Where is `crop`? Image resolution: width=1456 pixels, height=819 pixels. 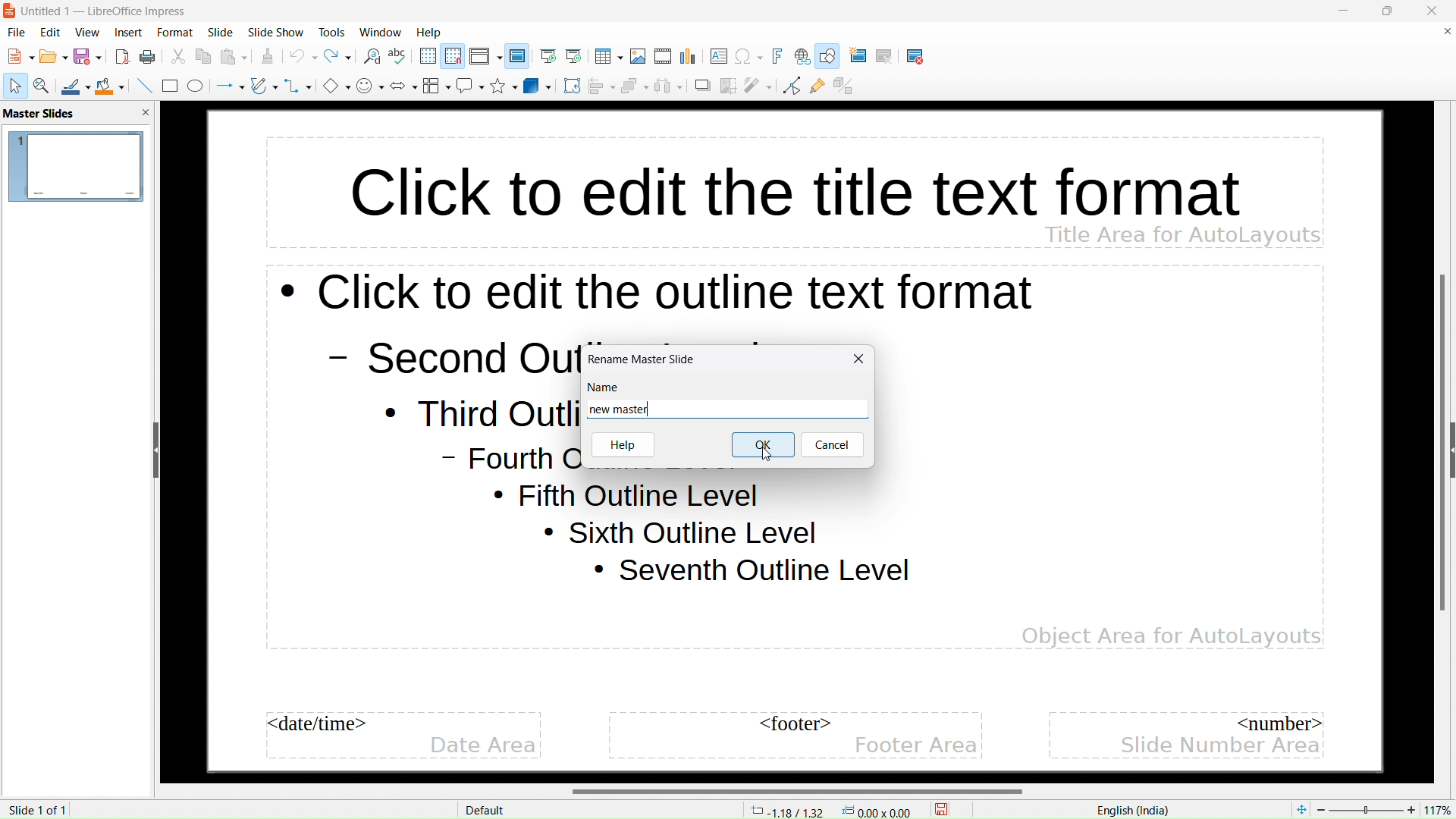 crop is located at coordinates (729, 86).